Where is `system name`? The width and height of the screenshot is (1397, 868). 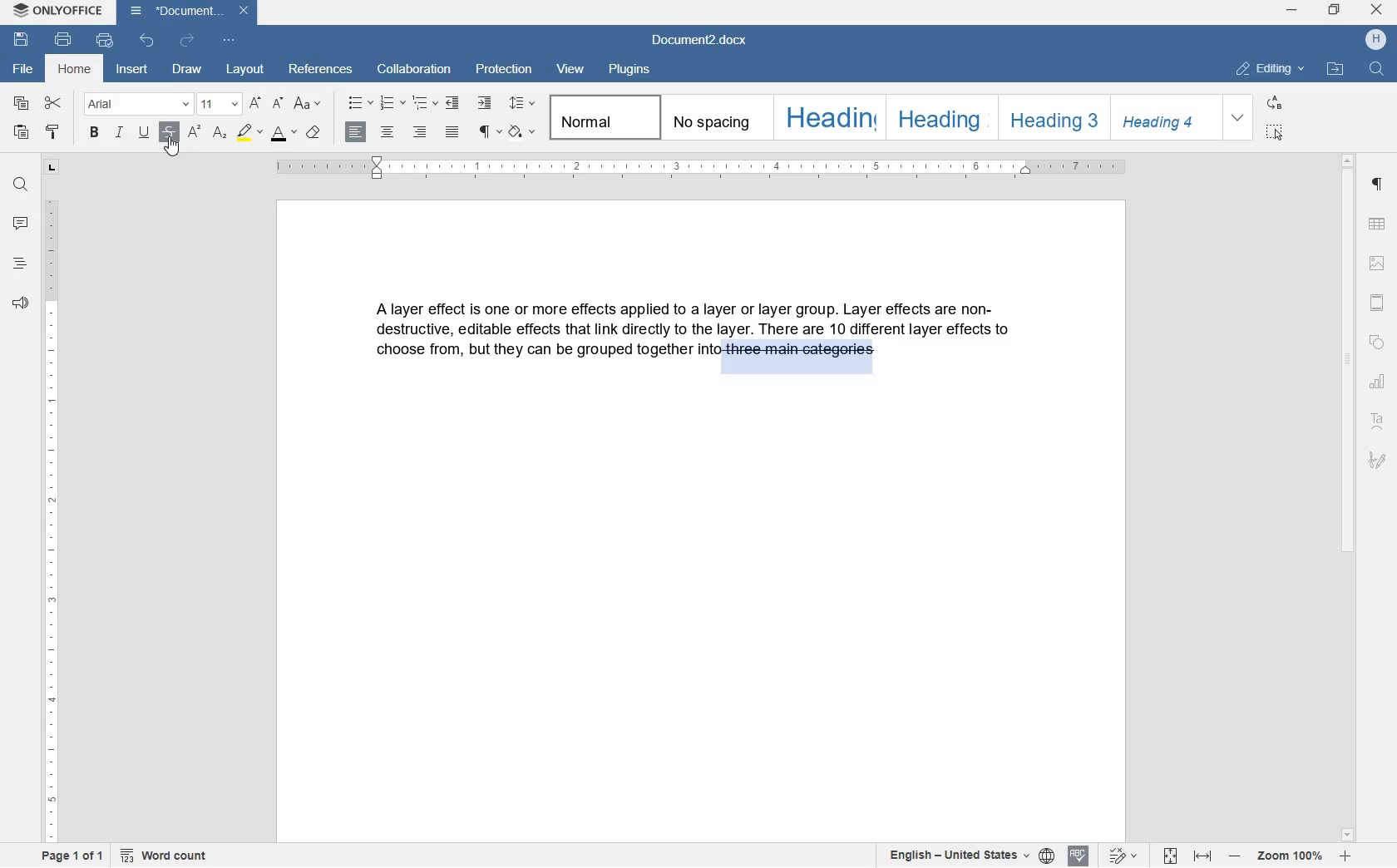 system name is located at coordinates (56, 11).